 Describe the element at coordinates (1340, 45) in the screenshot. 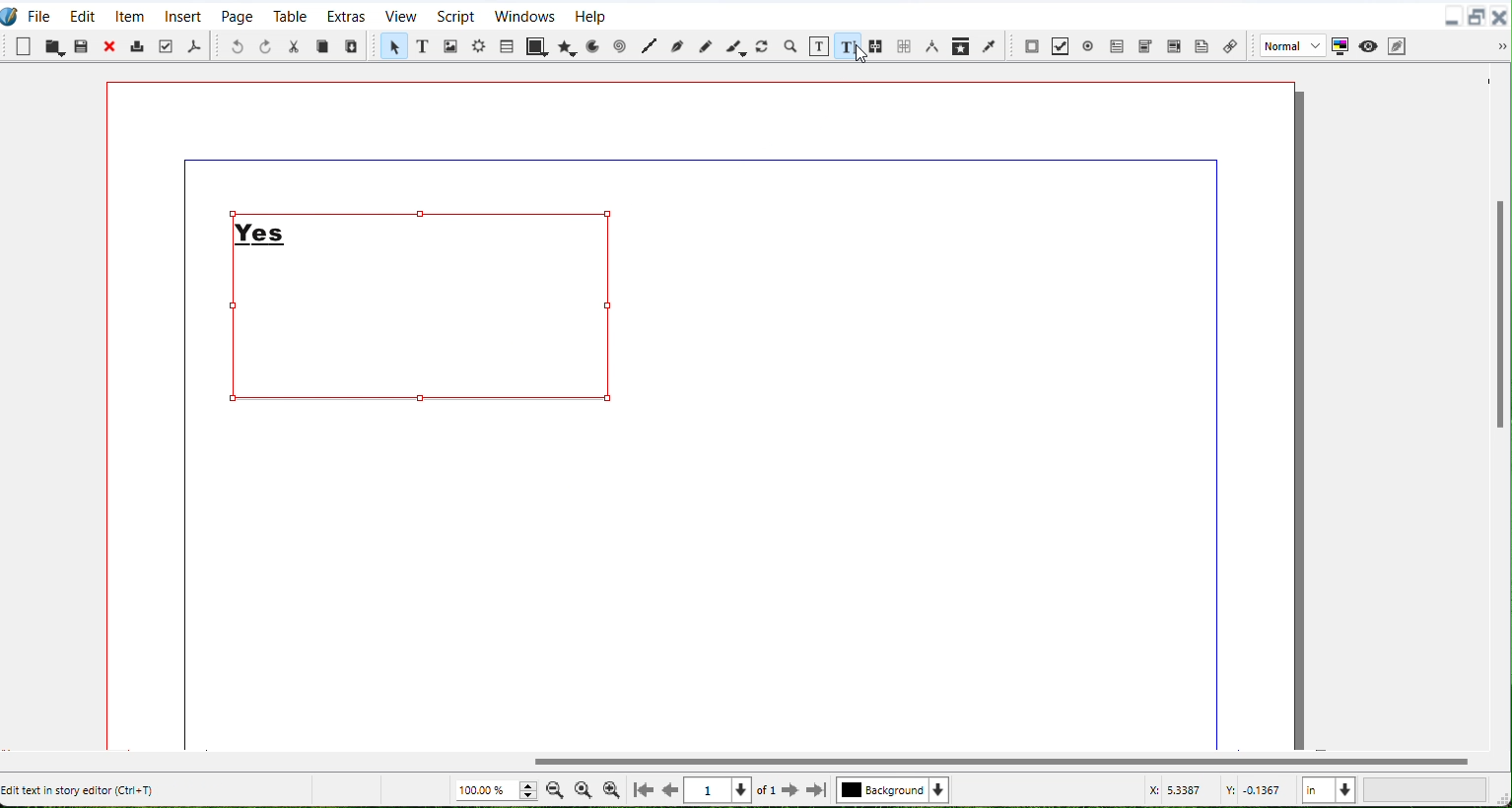

I see `Toggle color` at that location.